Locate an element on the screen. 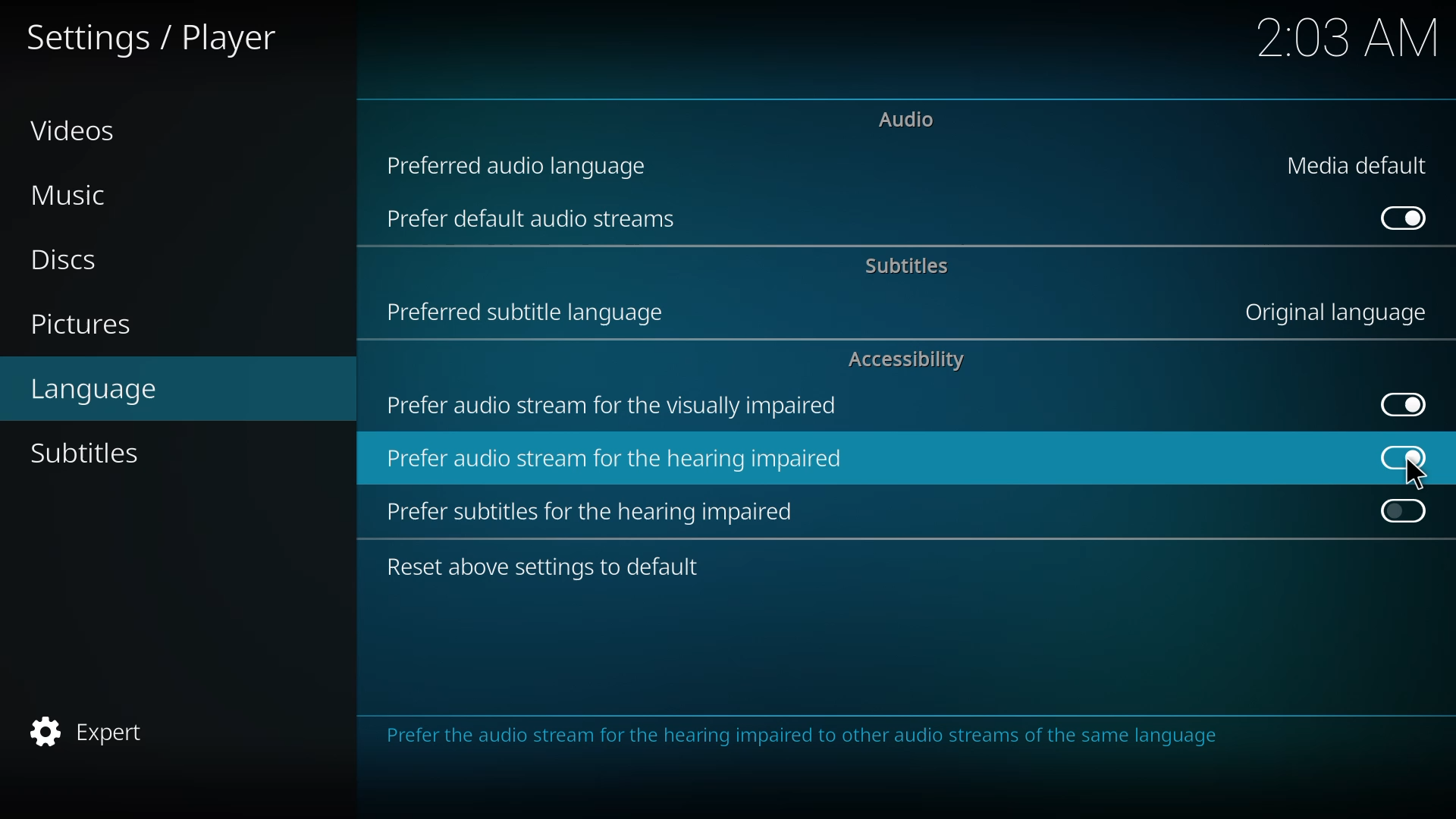 The height and width of the screenshot is (819, 1456). prefer audio stream for visually impaired is located at coordinates (616, 405).